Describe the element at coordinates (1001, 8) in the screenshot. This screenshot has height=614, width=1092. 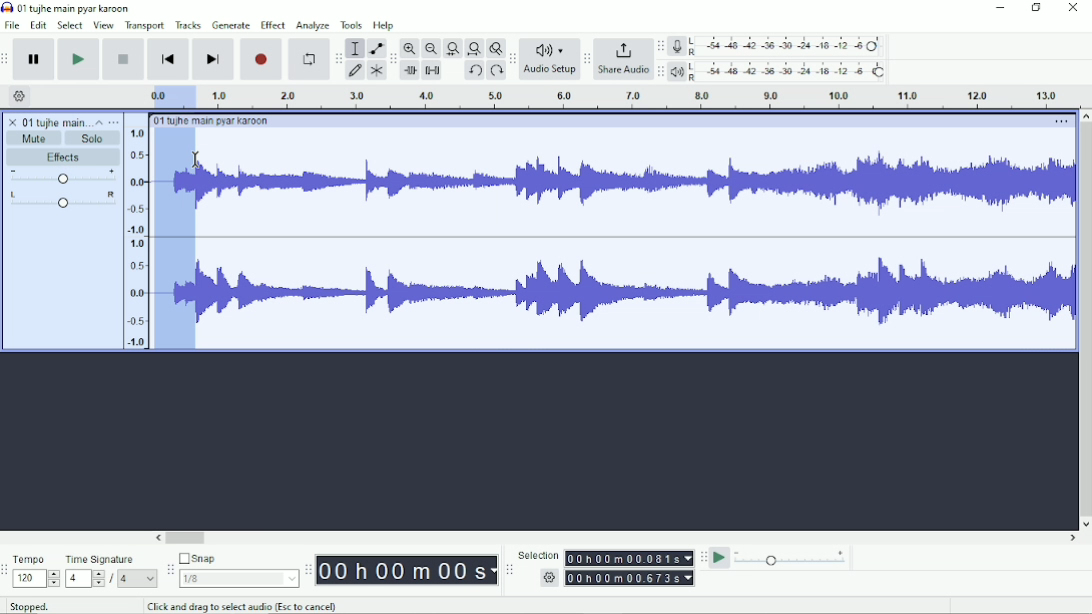
I see `Minimize` at that location.